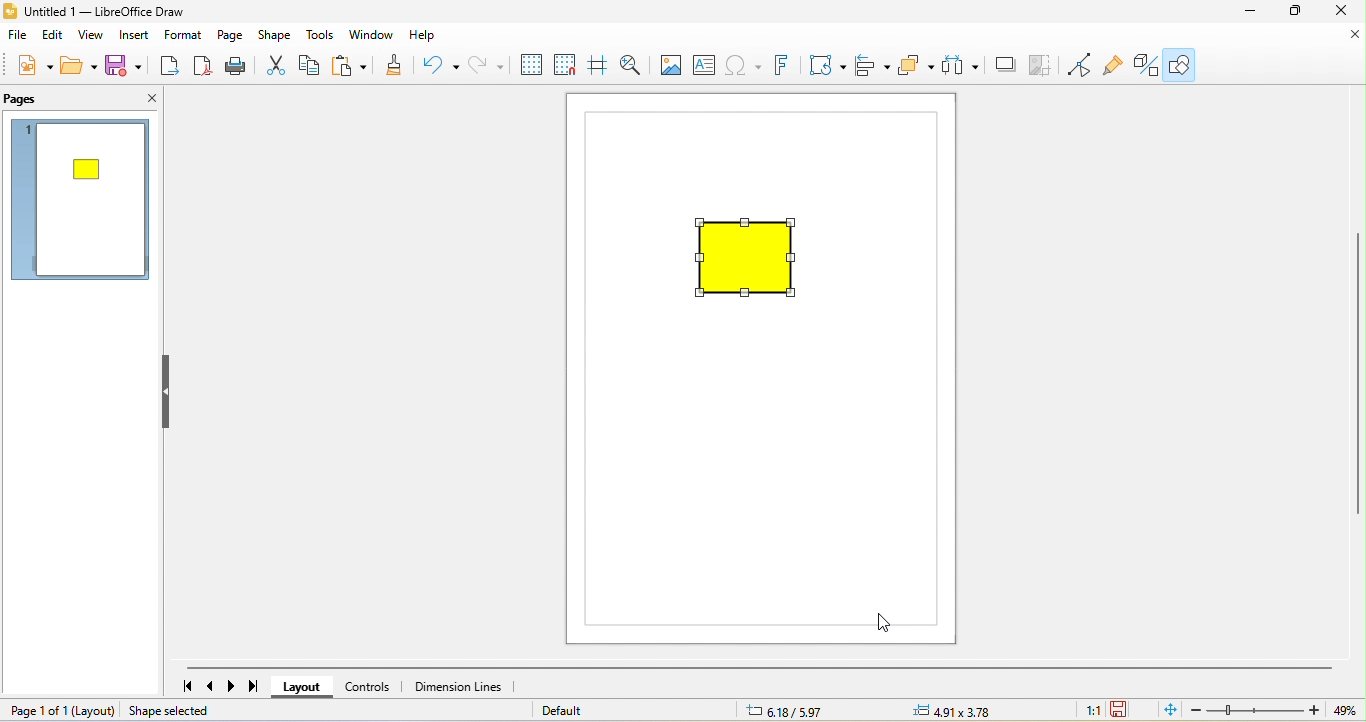  Describe the element at coordinates (529, 65) in the screenshot. I see `display grid` at that location.